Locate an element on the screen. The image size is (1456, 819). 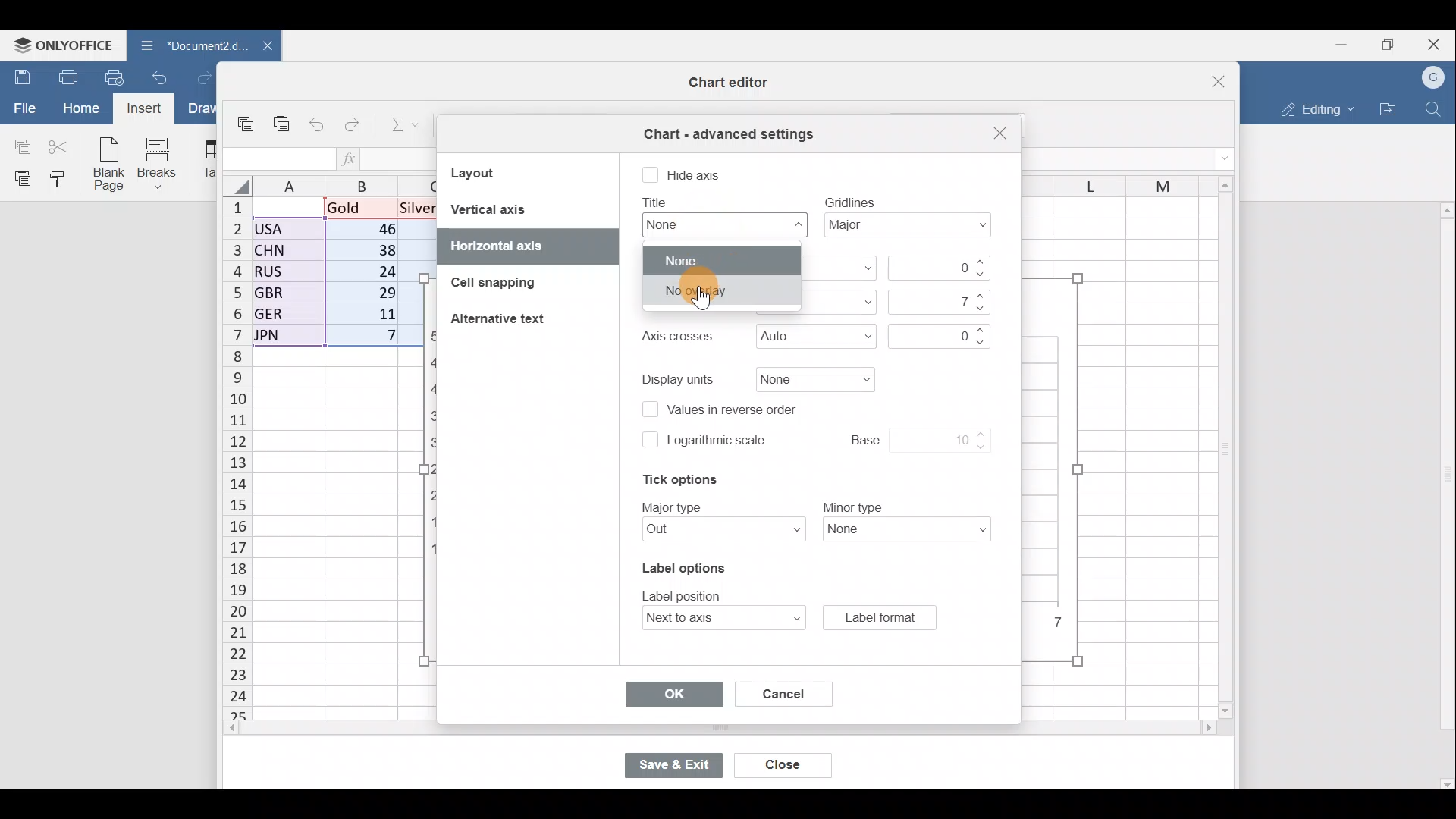
Close is located at coordinates (1436, 42).